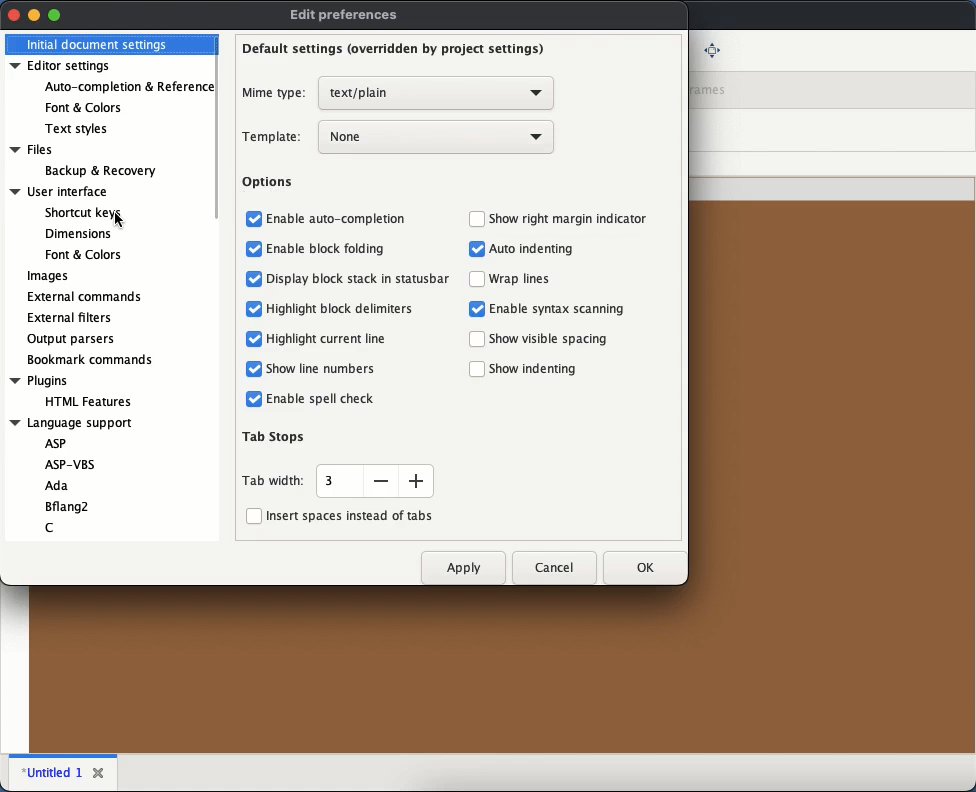  Describe the element at coordinates (569, 308) in the screenshot. I see `Enable syntax scanning` at that location.